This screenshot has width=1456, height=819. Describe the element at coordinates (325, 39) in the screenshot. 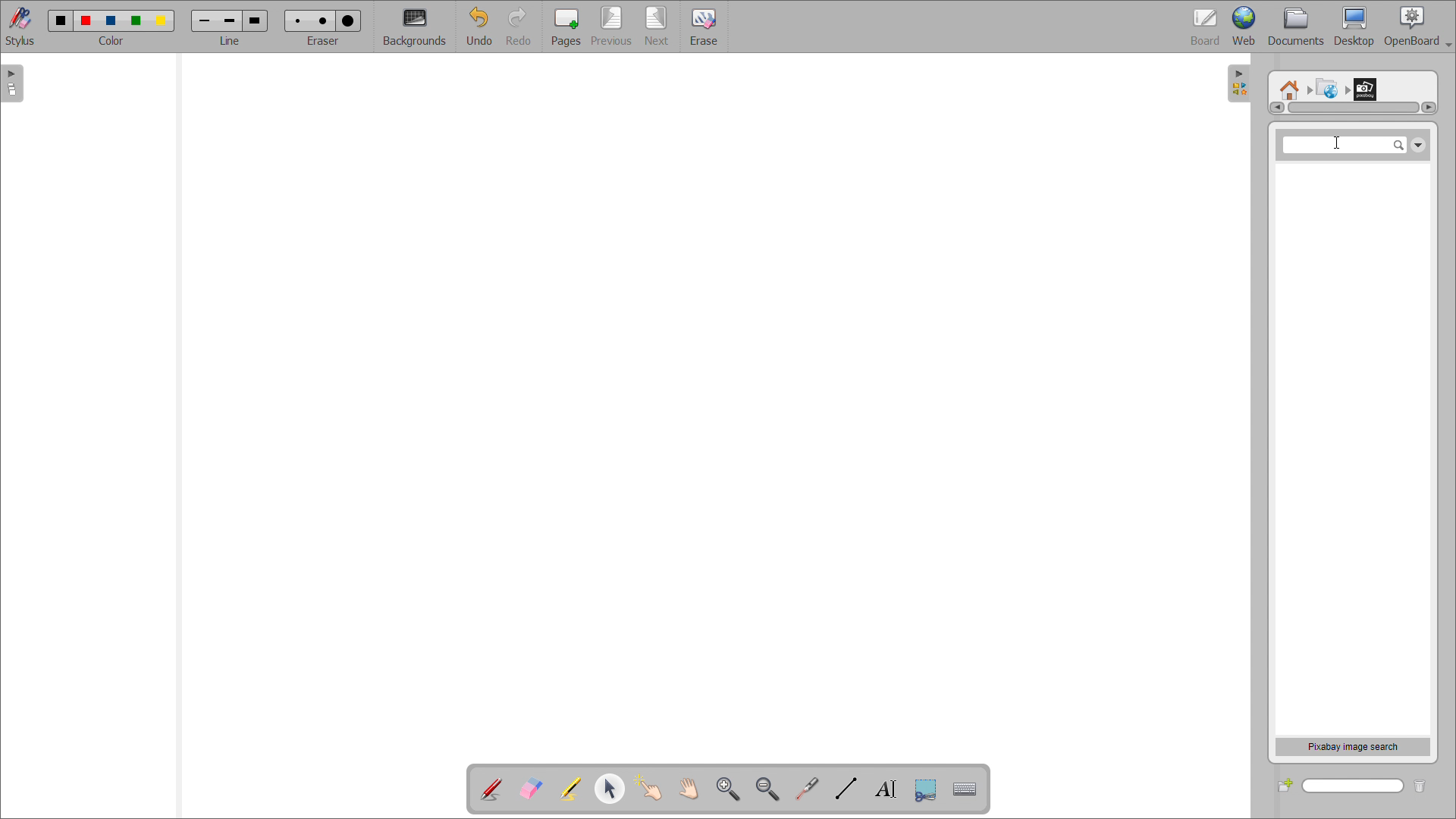

I see `eraser` at that location.